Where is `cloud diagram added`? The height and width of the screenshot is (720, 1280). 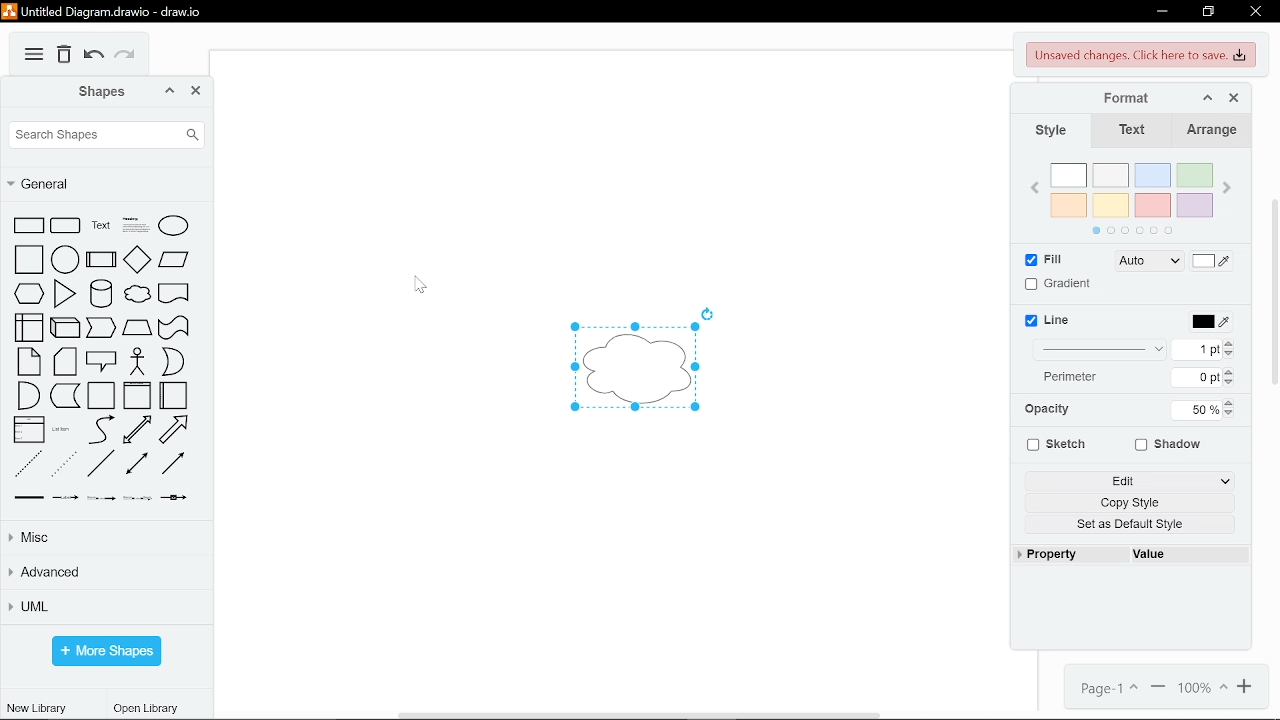
cloud diagram added is located at coordinates (634, 367).